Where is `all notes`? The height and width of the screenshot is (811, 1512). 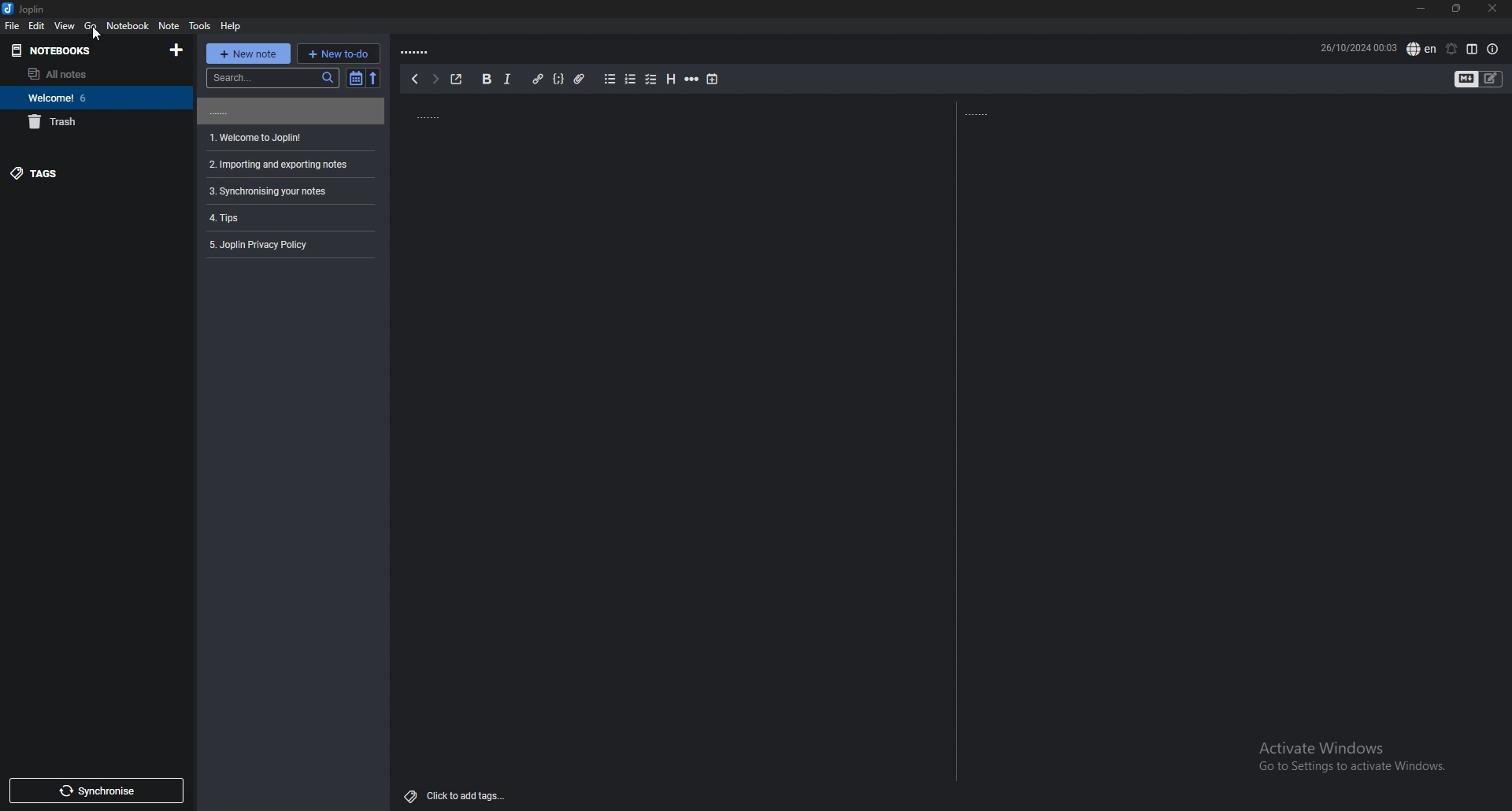
all notes is located at coordinates (83, 73).